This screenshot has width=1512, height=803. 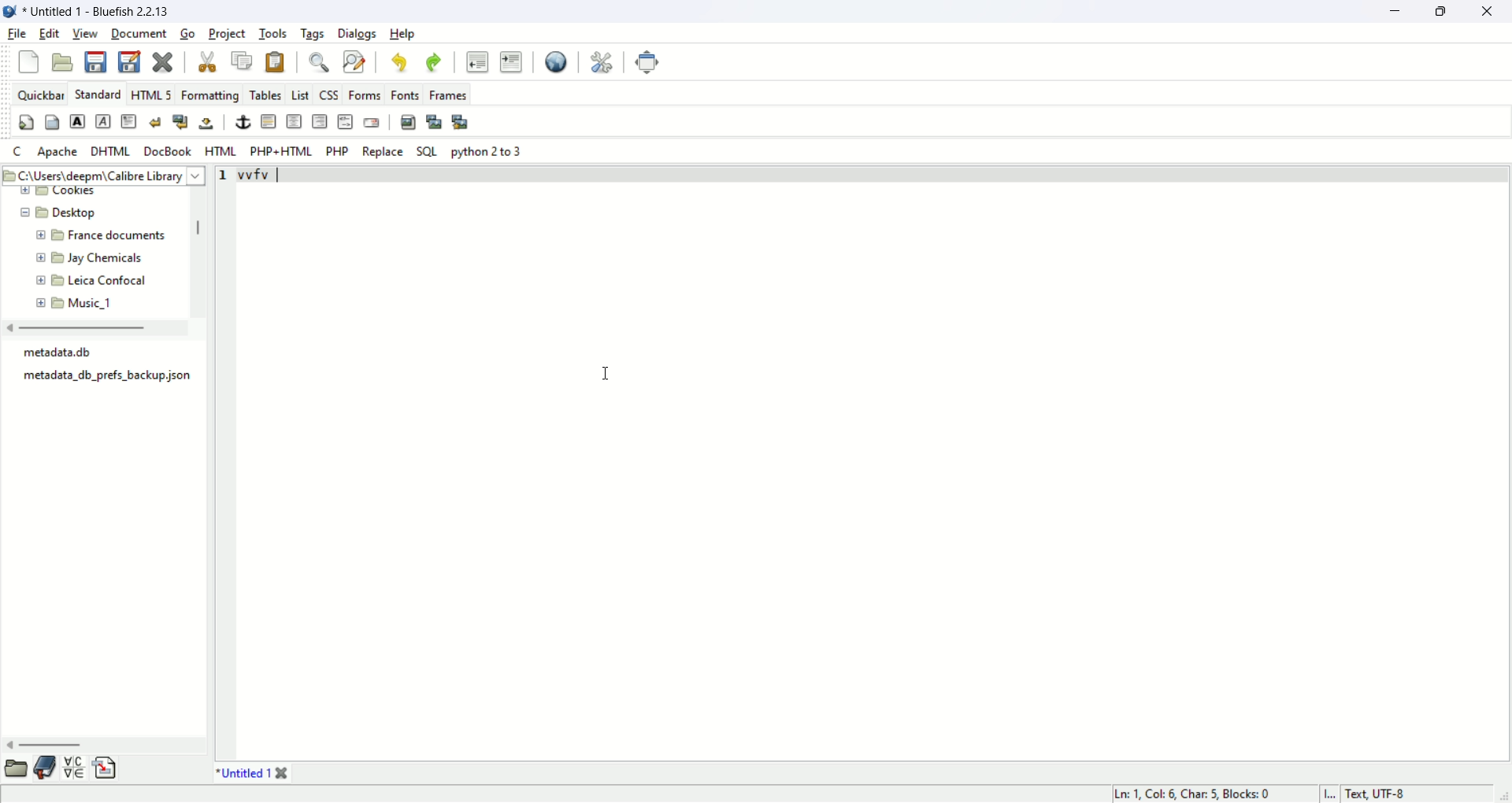 What do you see at coordinates (208, 62) in the screenshot?
I see `cut` at bounding box center [208, 62].